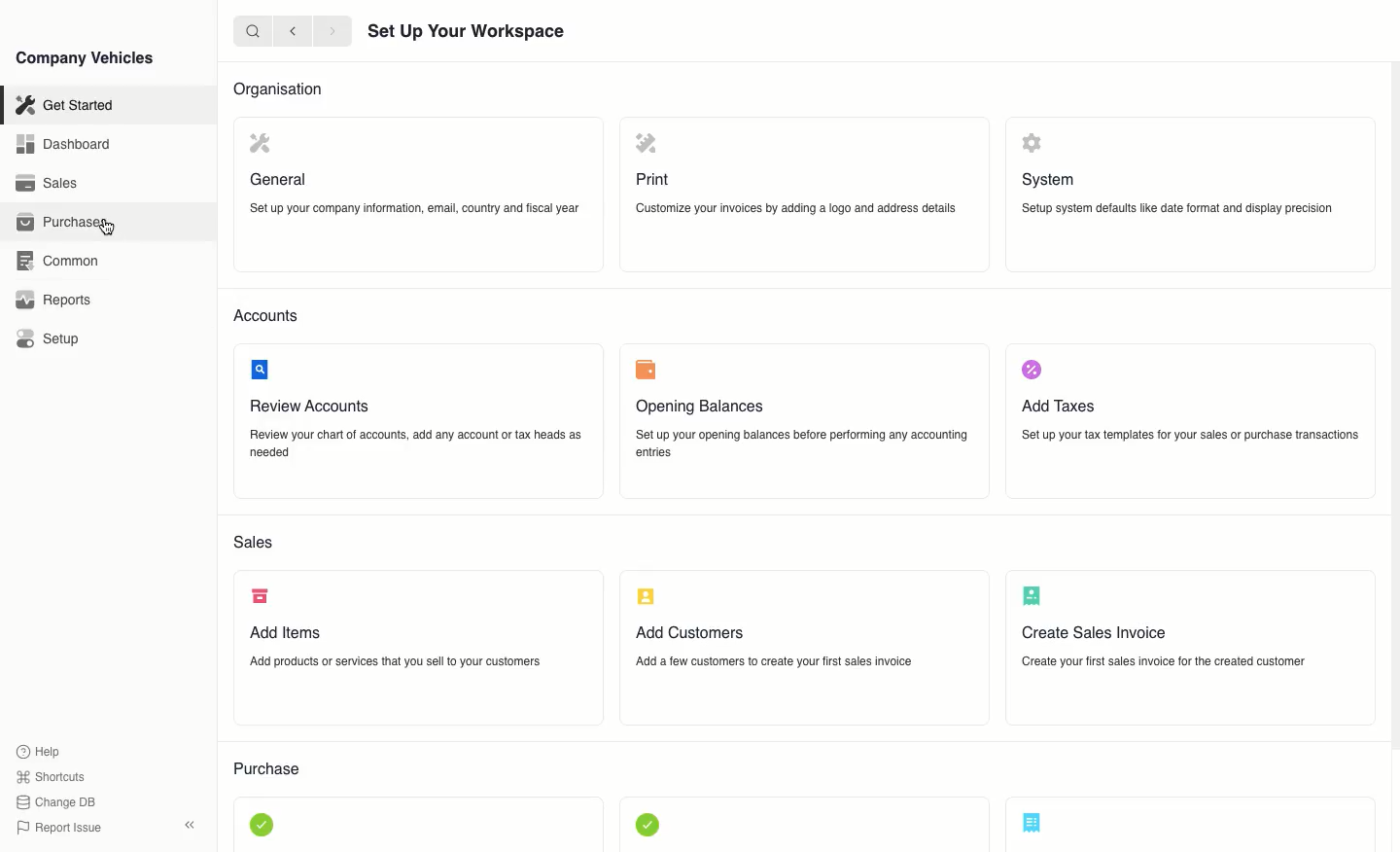 The height and width of the screenshot is (852, 1400). I want to click on System, so click(1049, 181).